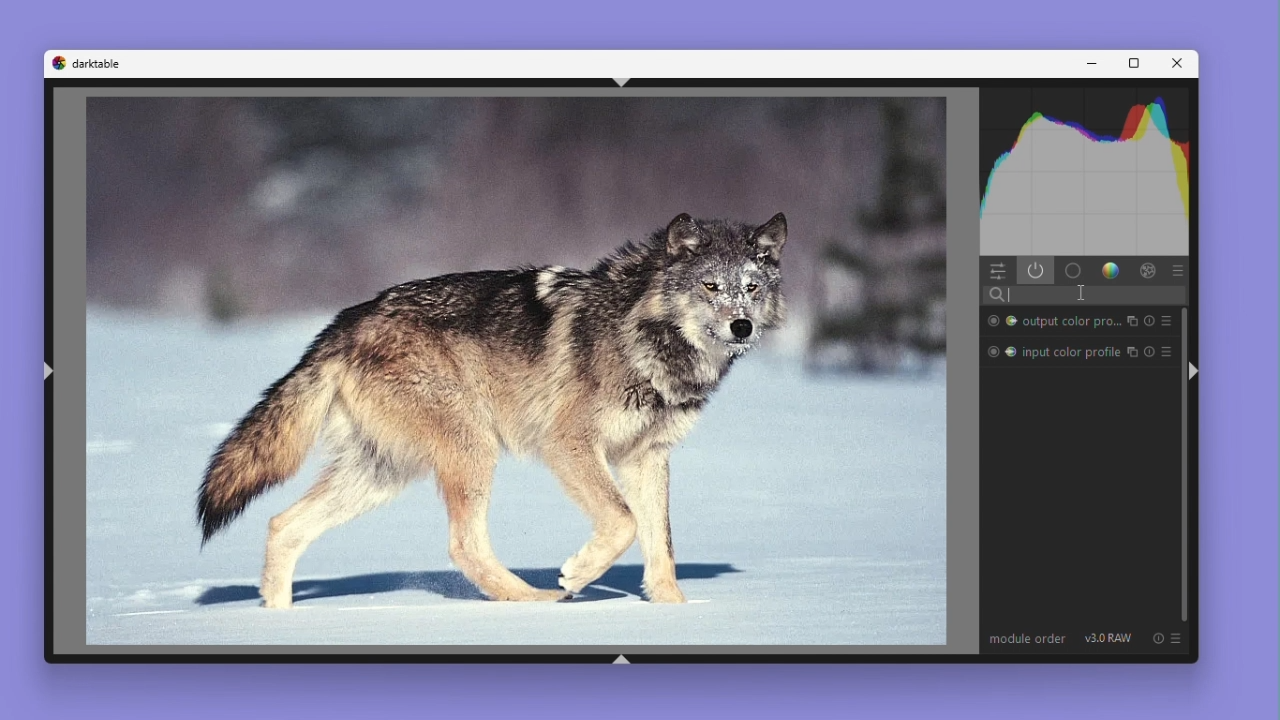 This screenshot has height=720, width=1280. What do you see at coordinates (56, 62) in the screenshot?
I see `Dark table logo` at bounding box center [56, 62].